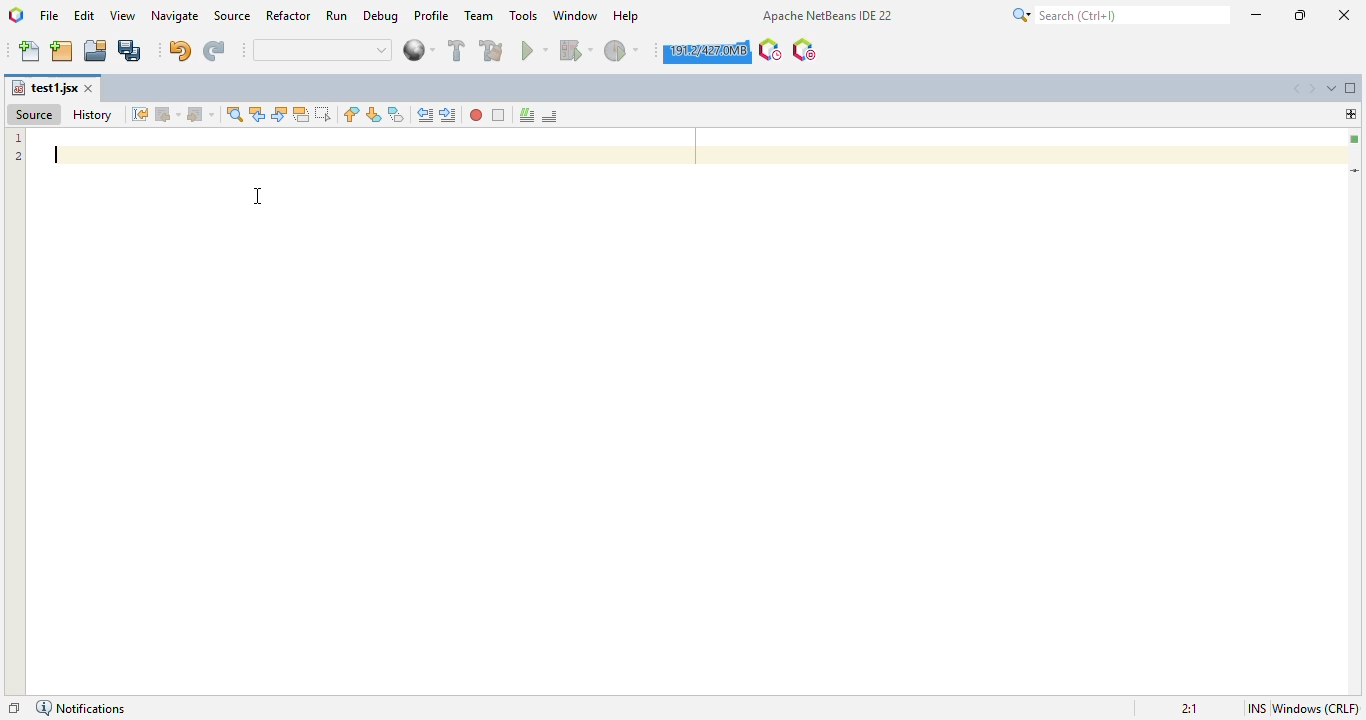 Image resolution: width=1366 pixels, height=720 pixels. What do you see at coordinates (217, 51) in the screenshot?
I see `redo` at bounding box center [217, 51].